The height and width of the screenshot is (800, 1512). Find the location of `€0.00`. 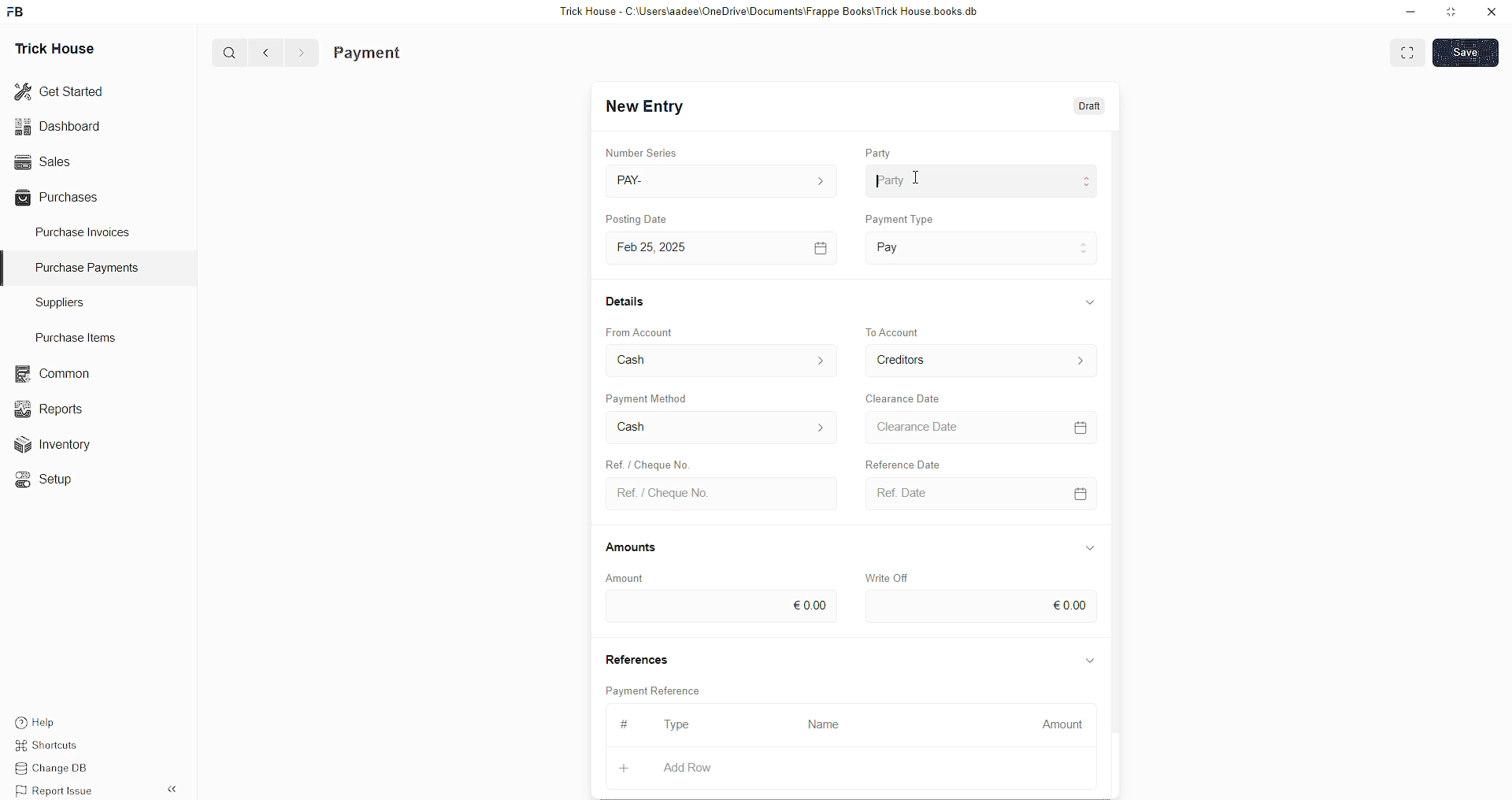

€0.00 is located at coordinates (810, 602).